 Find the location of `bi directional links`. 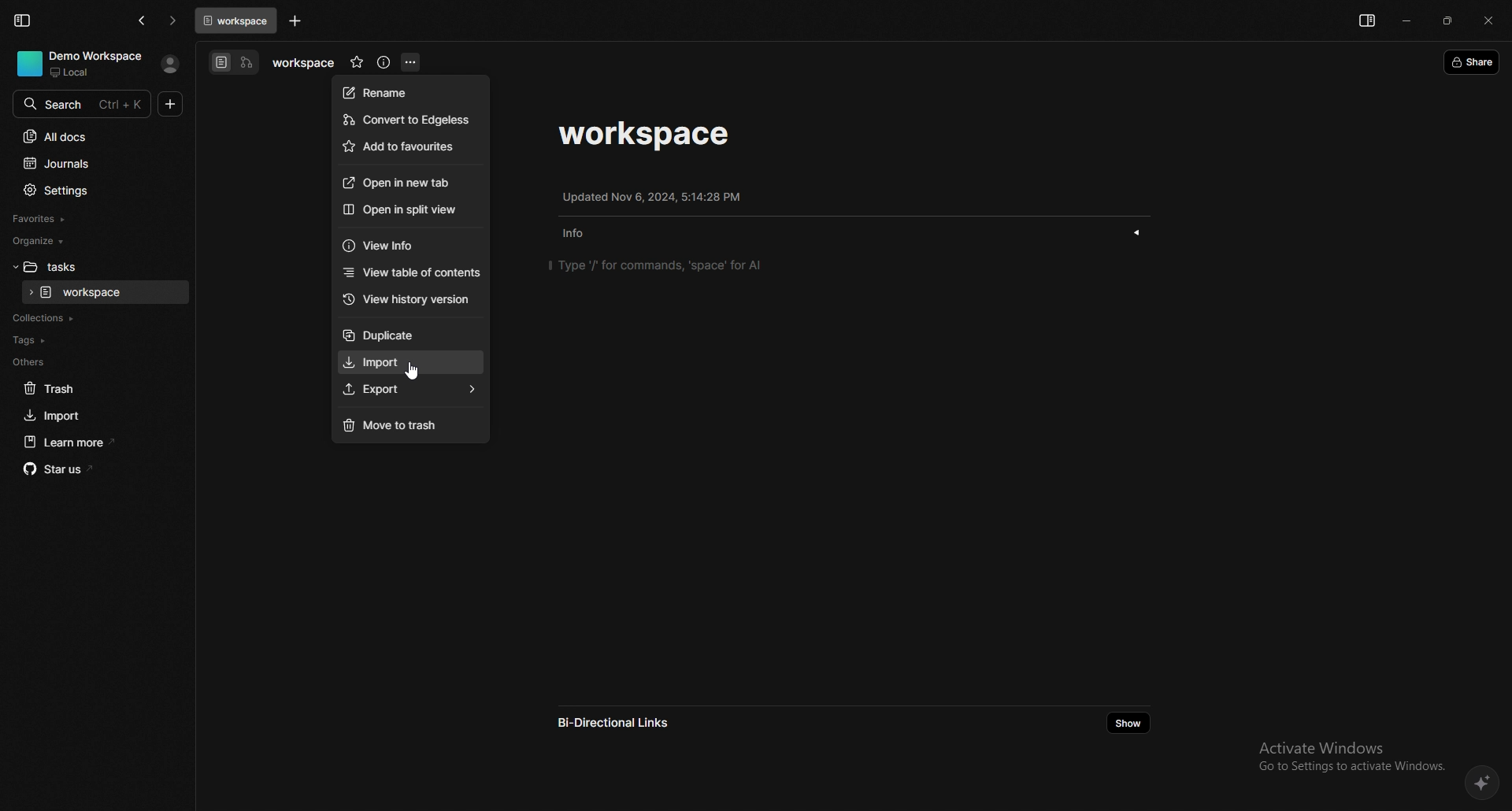

bi directional links is located at coordinates (627, 723).